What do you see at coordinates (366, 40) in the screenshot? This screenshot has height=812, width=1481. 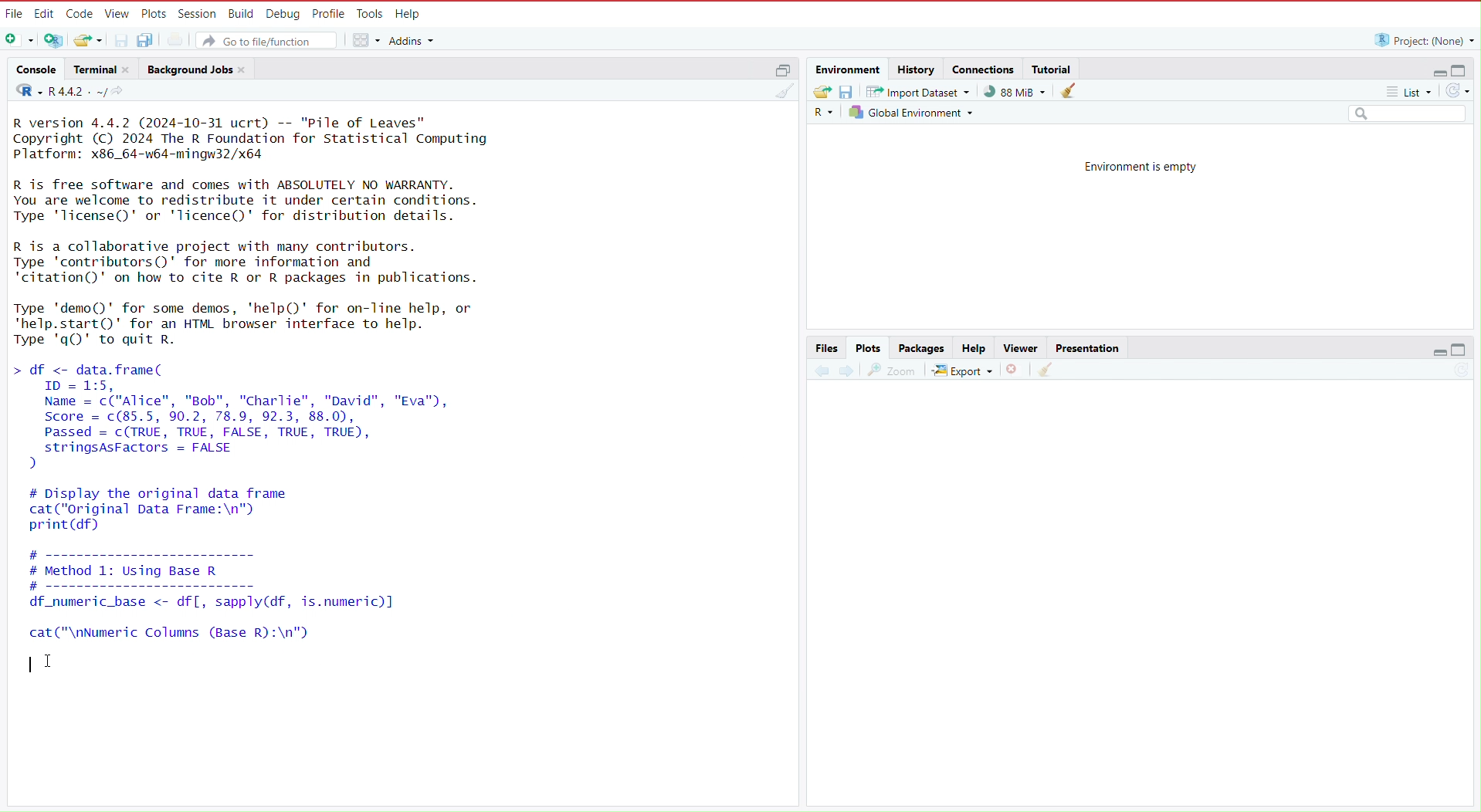 I see `workspace panes` at bounding box center [366, 40].